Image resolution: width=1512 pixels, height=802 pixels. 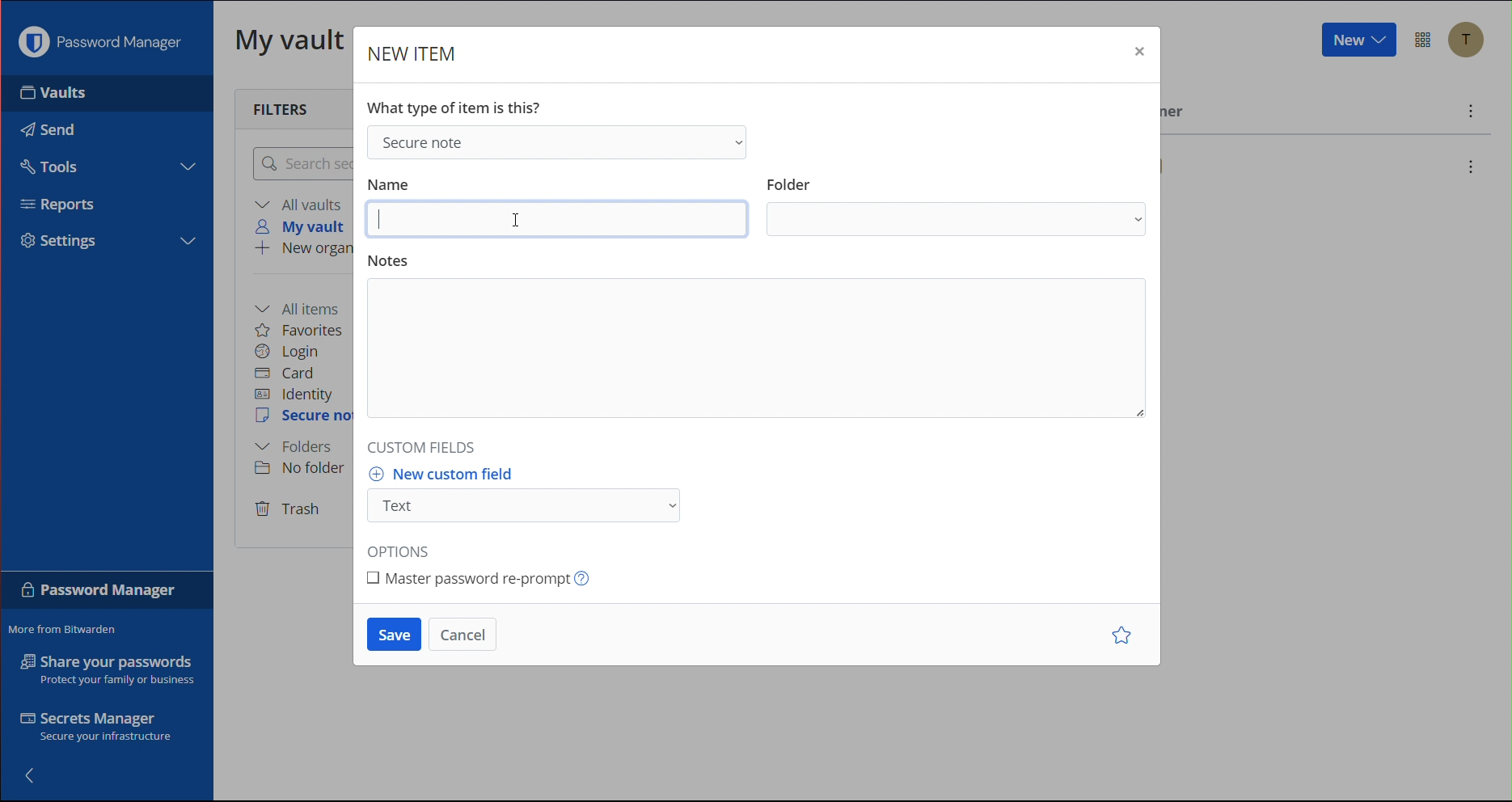 I want to click on Login, so click(x=288, y=352).